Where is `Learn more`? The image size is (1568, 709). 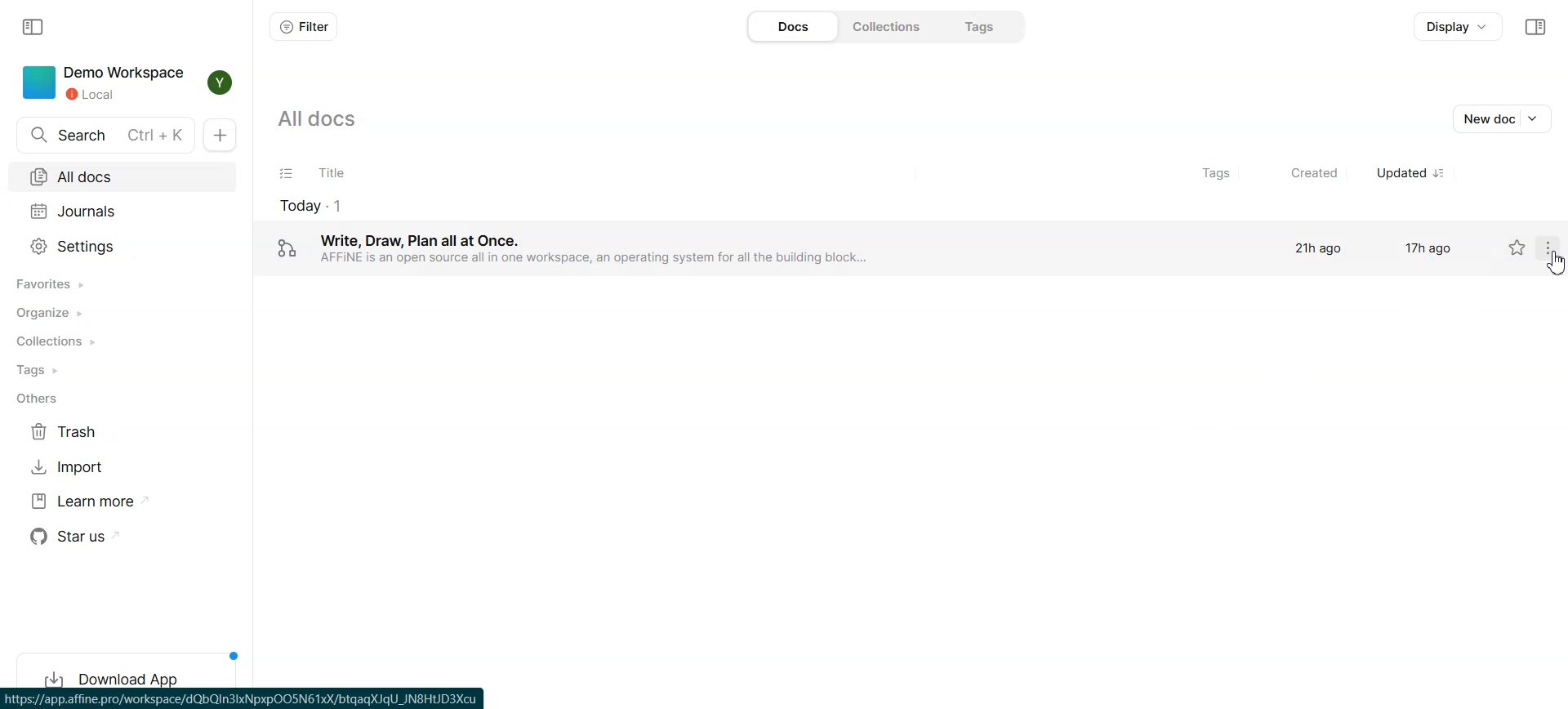
Learn more is located at coordinates (124, 502).